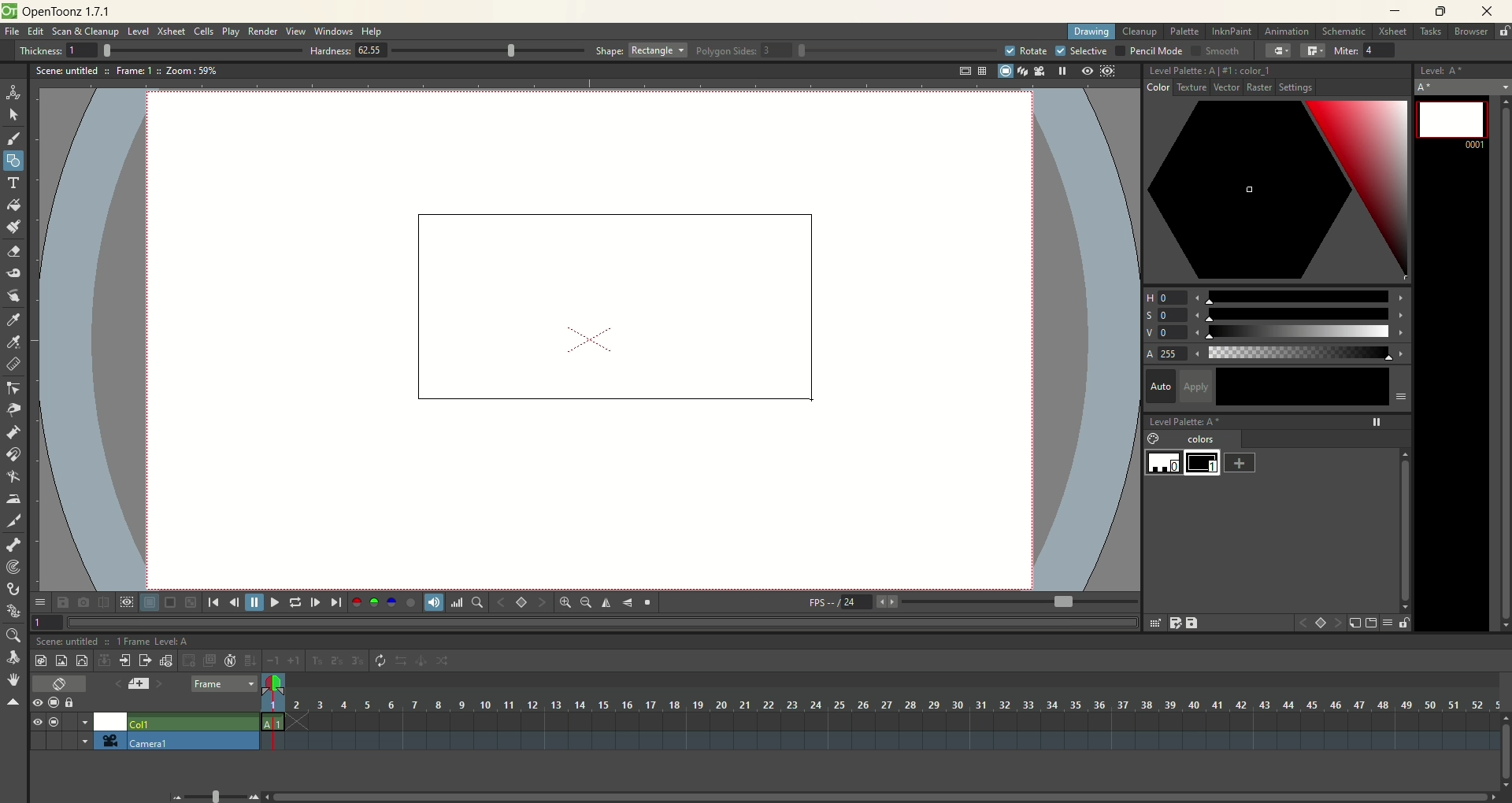 The width and height of the screenshot is (1512, 803). What do you see at coordinates (1002, 72) in the screenshot?
I see `camera stand view` at bounding box center [1002, 72].